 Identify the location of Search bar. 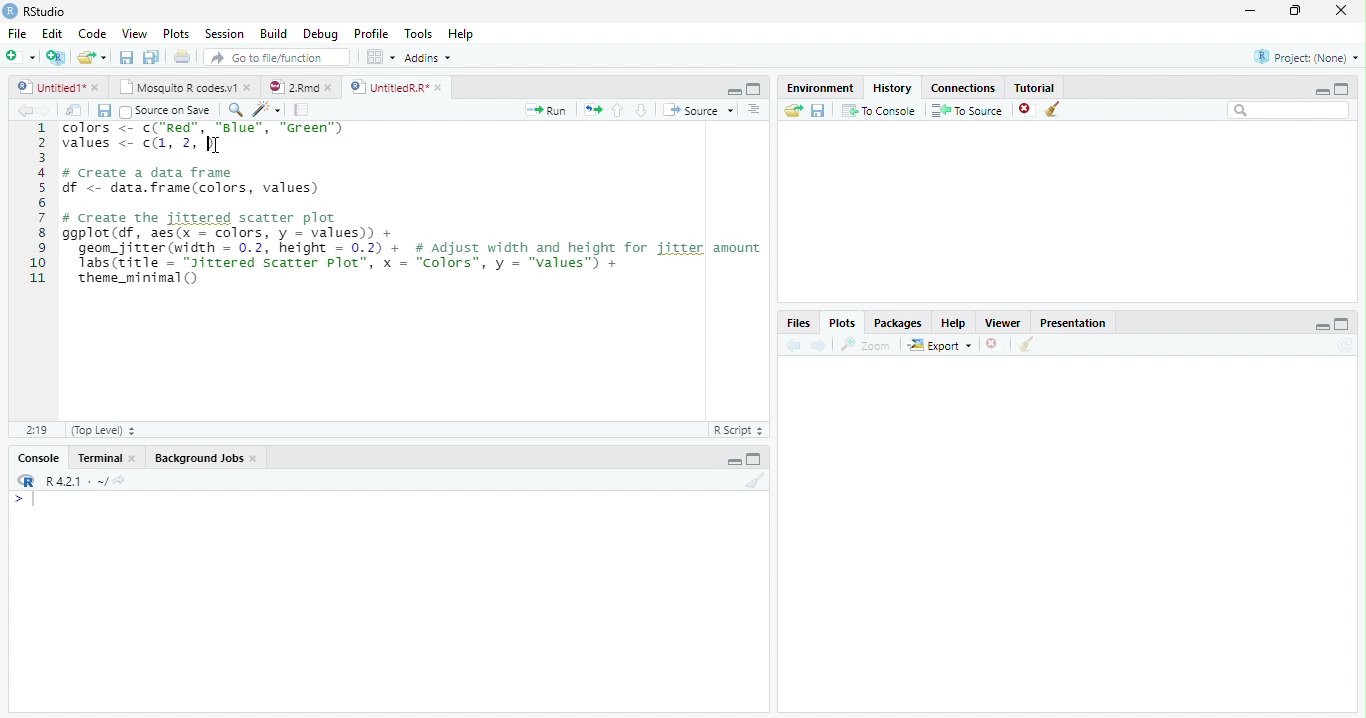
(1290, 110).